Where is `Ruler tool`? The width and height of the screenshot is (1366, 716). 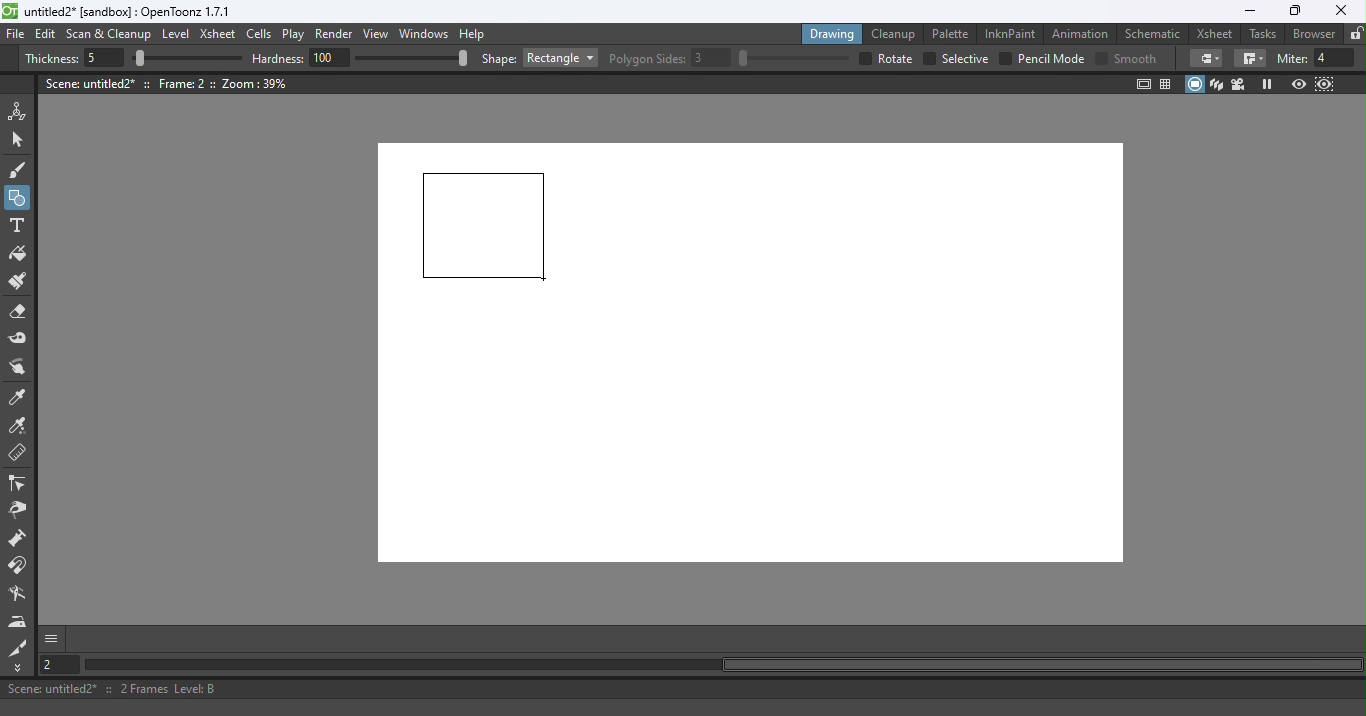
Ruler tool is located at coordinates (18, 455).